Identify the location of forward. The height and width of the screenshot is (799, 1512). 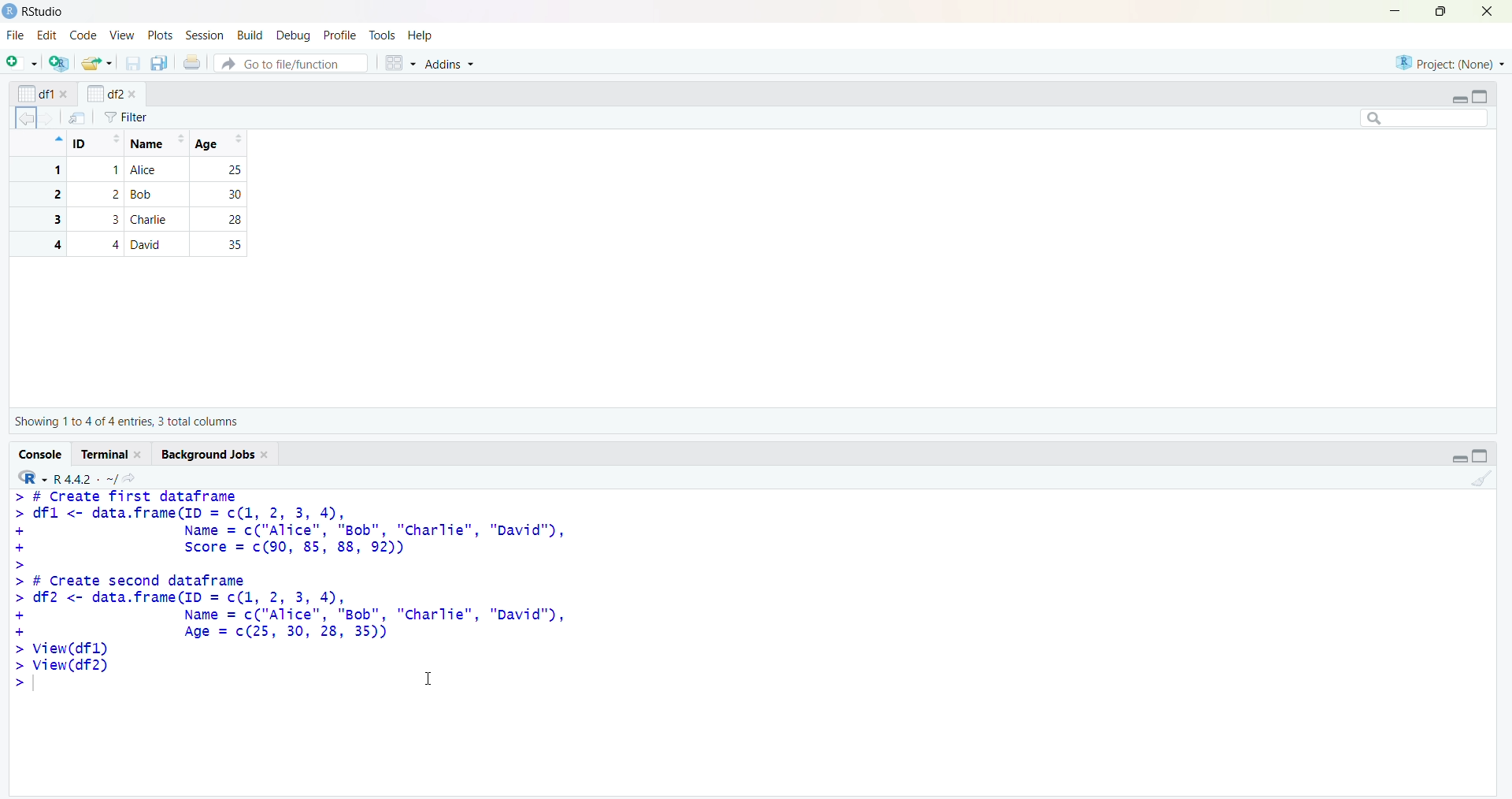
(47, 119).